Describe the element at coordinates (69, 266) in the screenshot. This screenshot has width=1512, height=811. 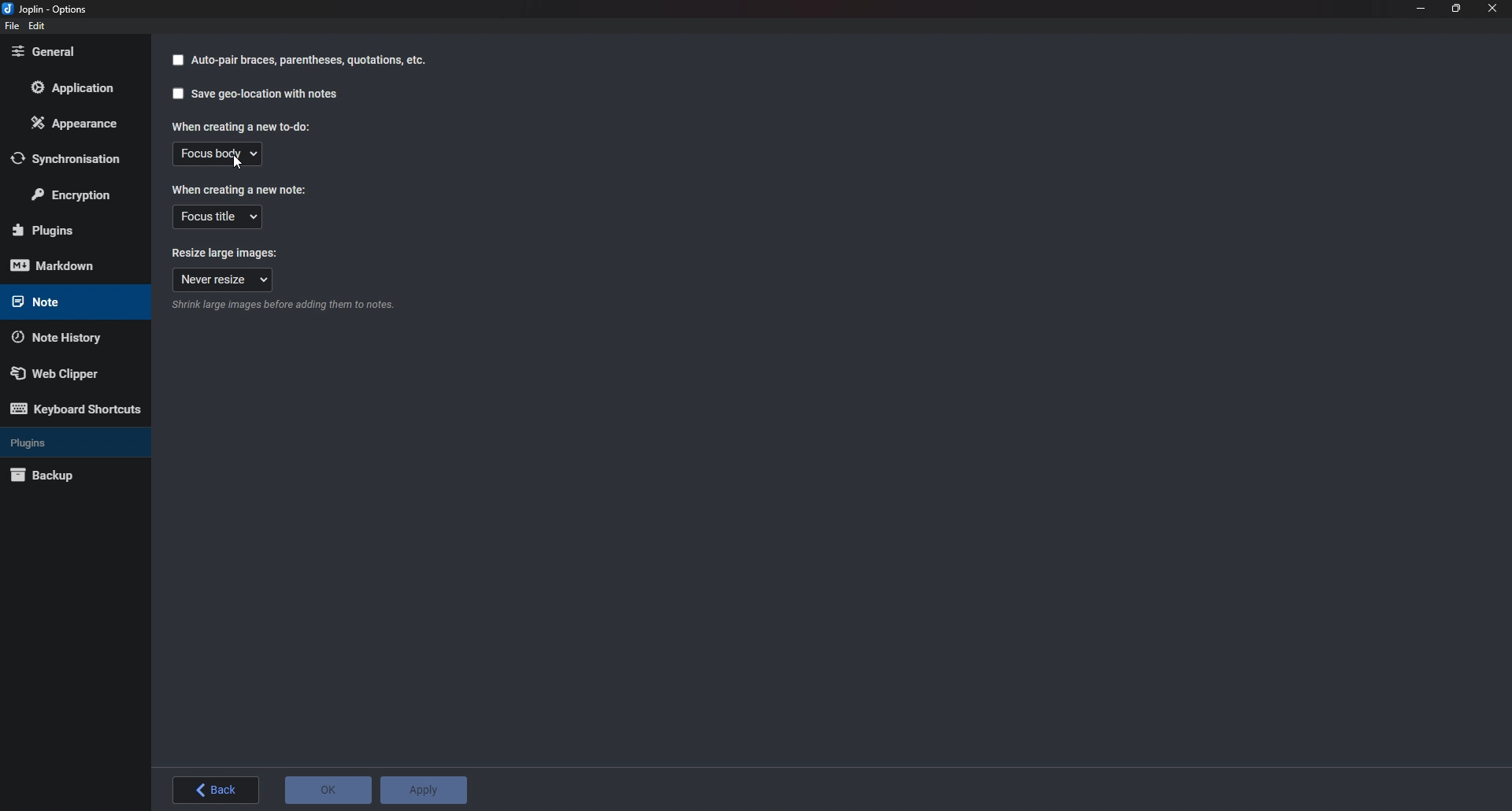
I see `mark down` at that location.